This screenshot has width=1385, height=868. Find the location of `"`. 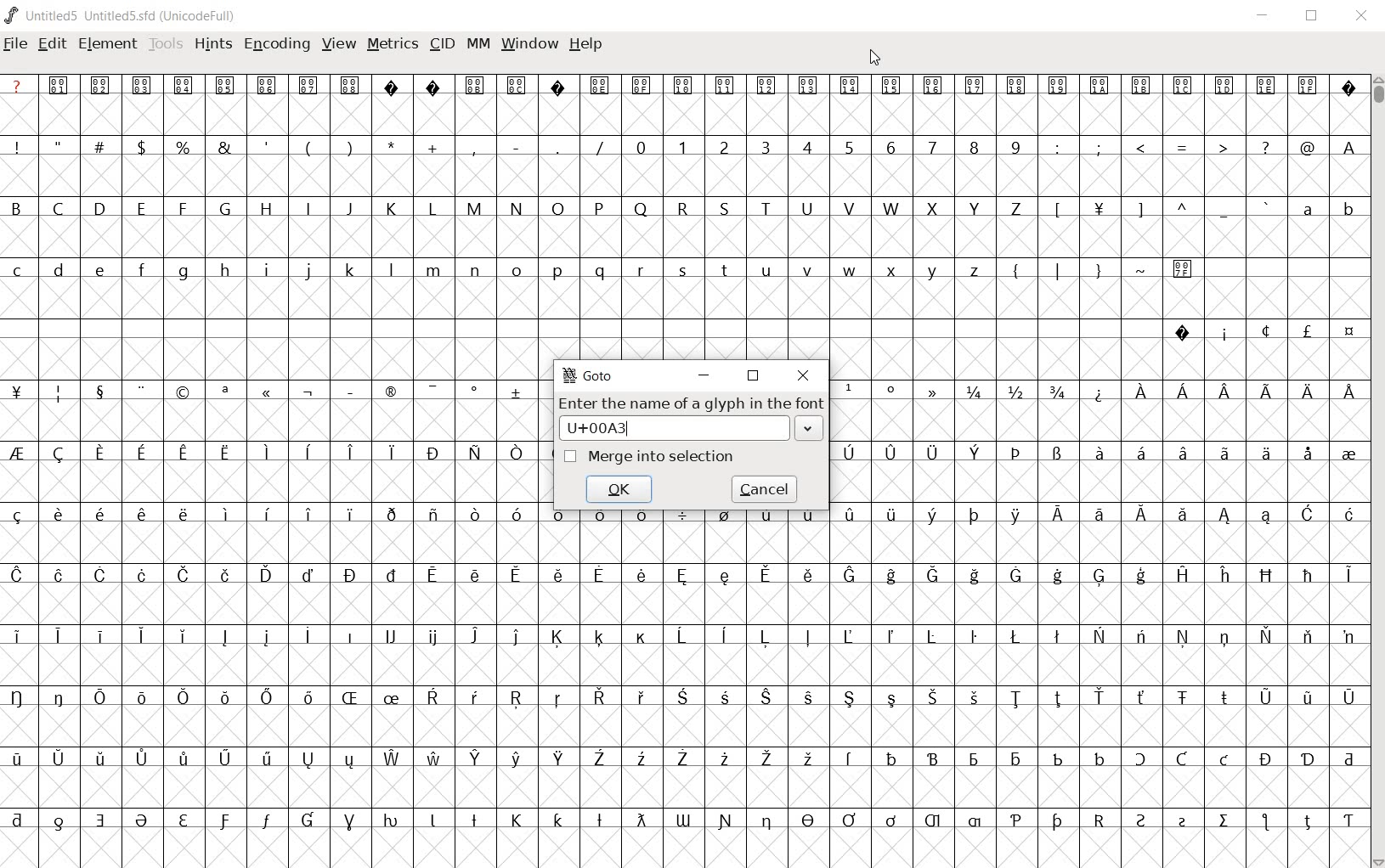

" is located at coordinates (61, 146).